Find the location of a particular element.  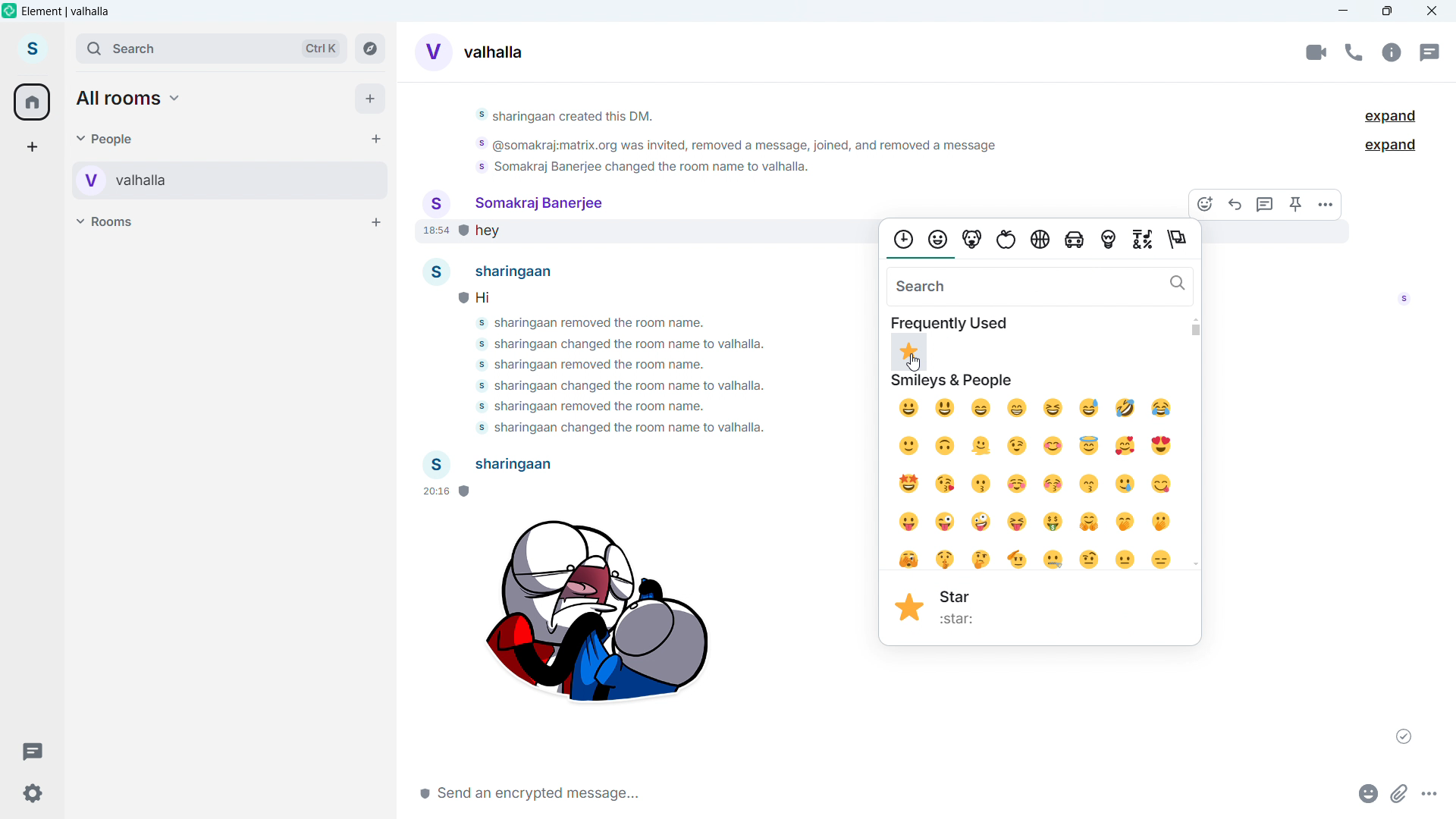

minimize is located at coordinates (1344, 11).